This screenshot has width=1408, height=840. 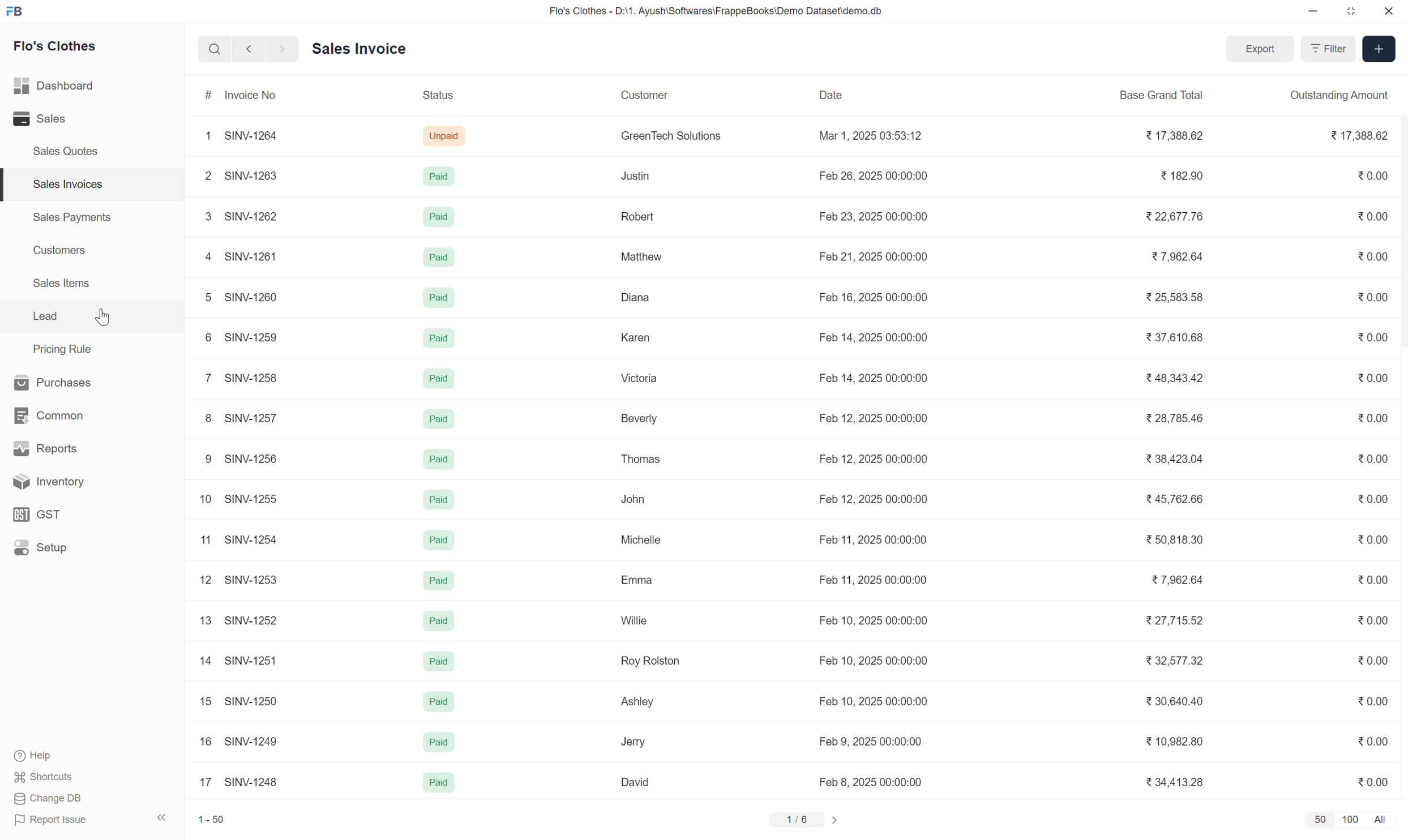 What do you see at coordinates (1177, 256) in the screenshot?
I see `37,962.64` at bounding box center [1177, 256].